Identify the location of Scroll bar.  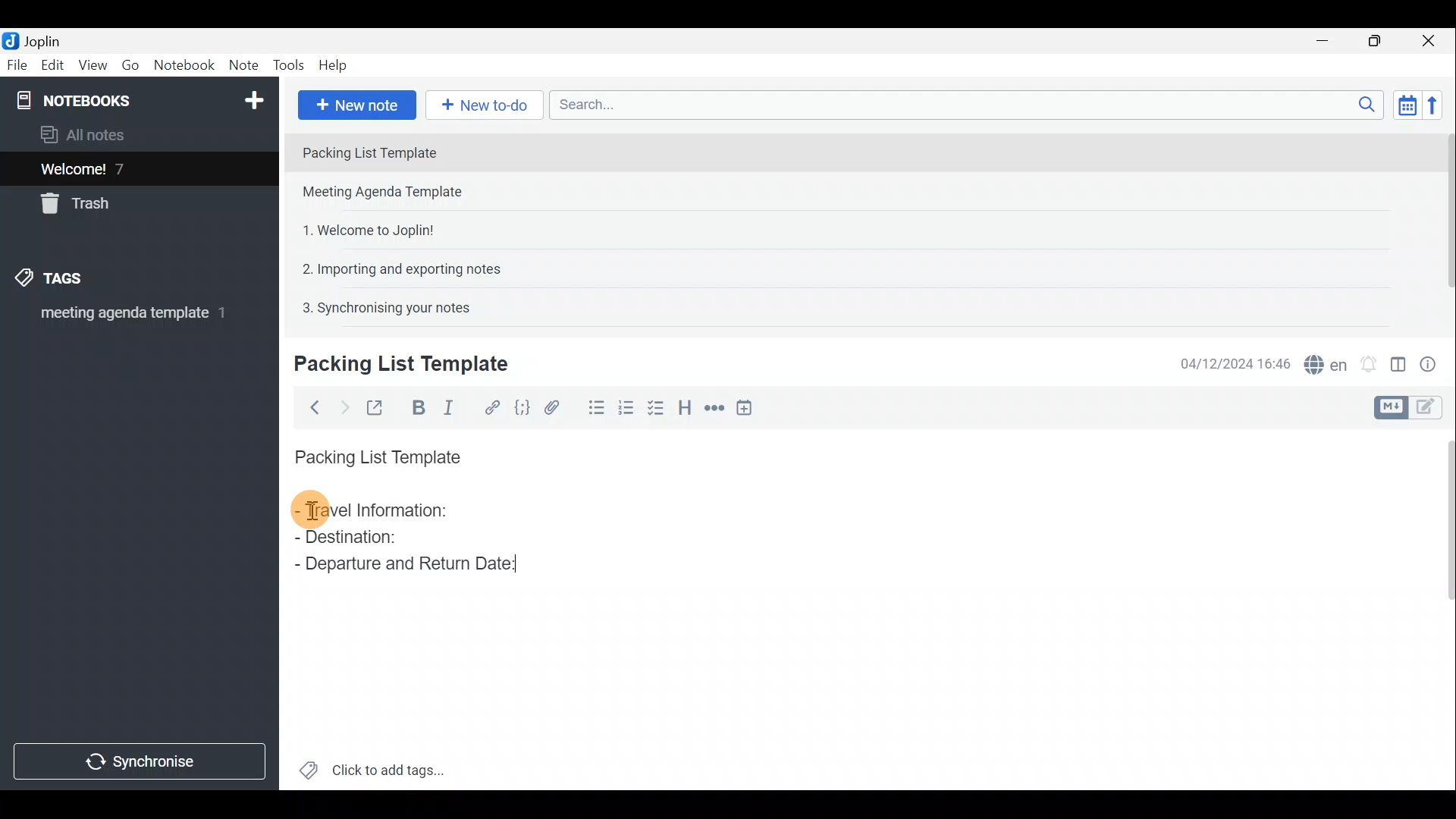
(1442, 607).